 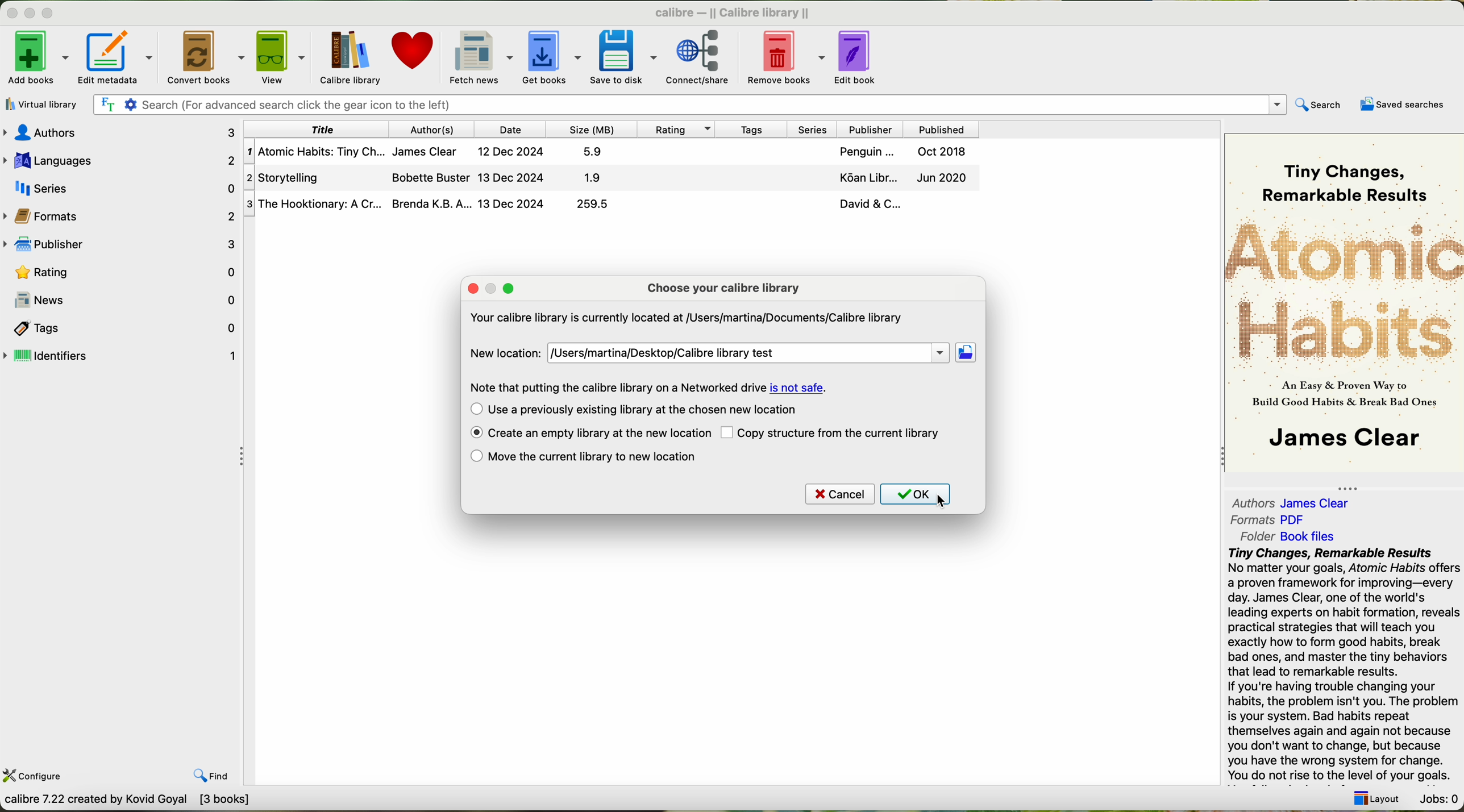 What do you see at coordinates (966, 353) in the screenshot?
I see `open location` at bounding box center [966, 353].